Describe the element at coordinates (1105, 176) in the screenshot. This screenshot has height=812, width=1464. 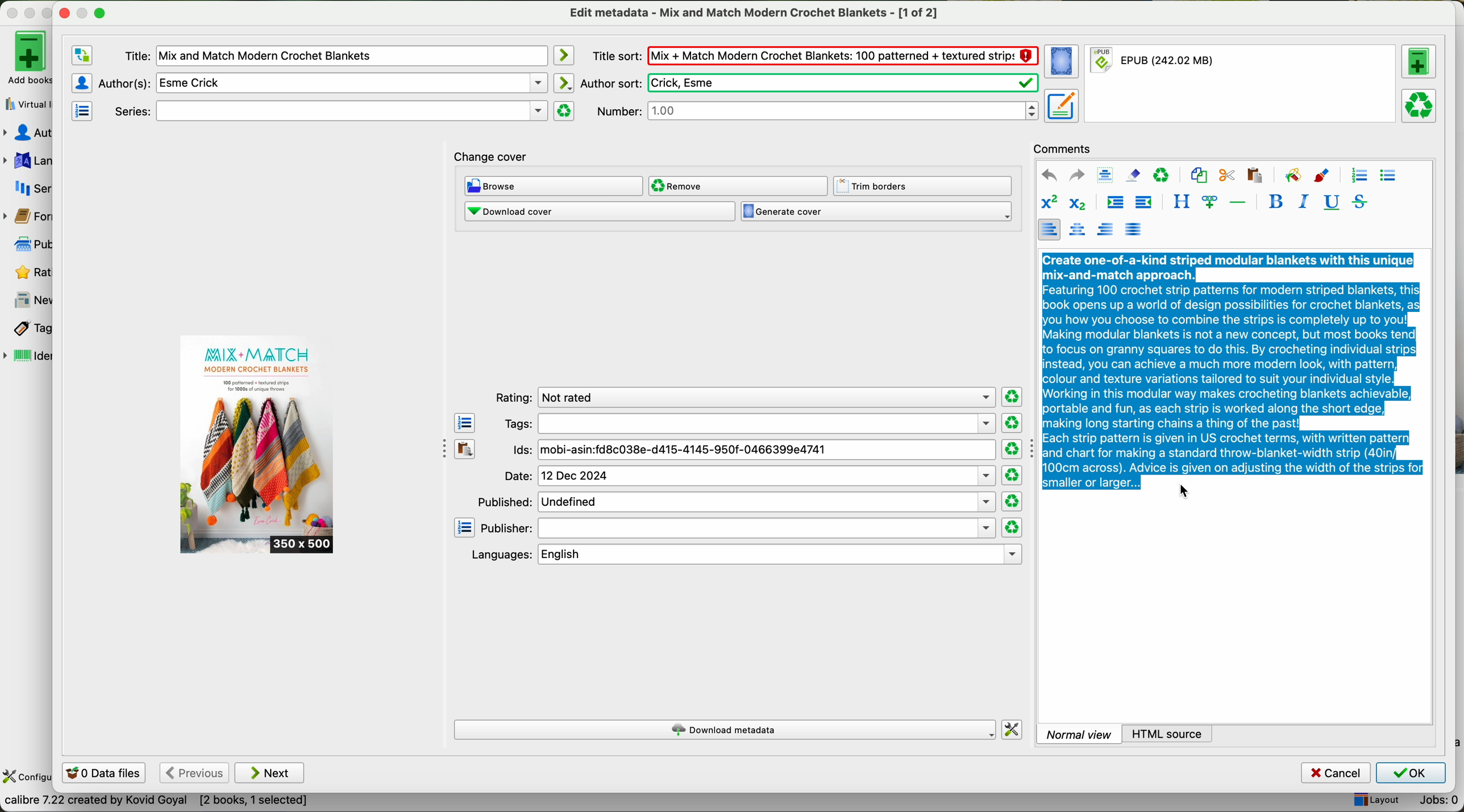
I see `select all` at that location.